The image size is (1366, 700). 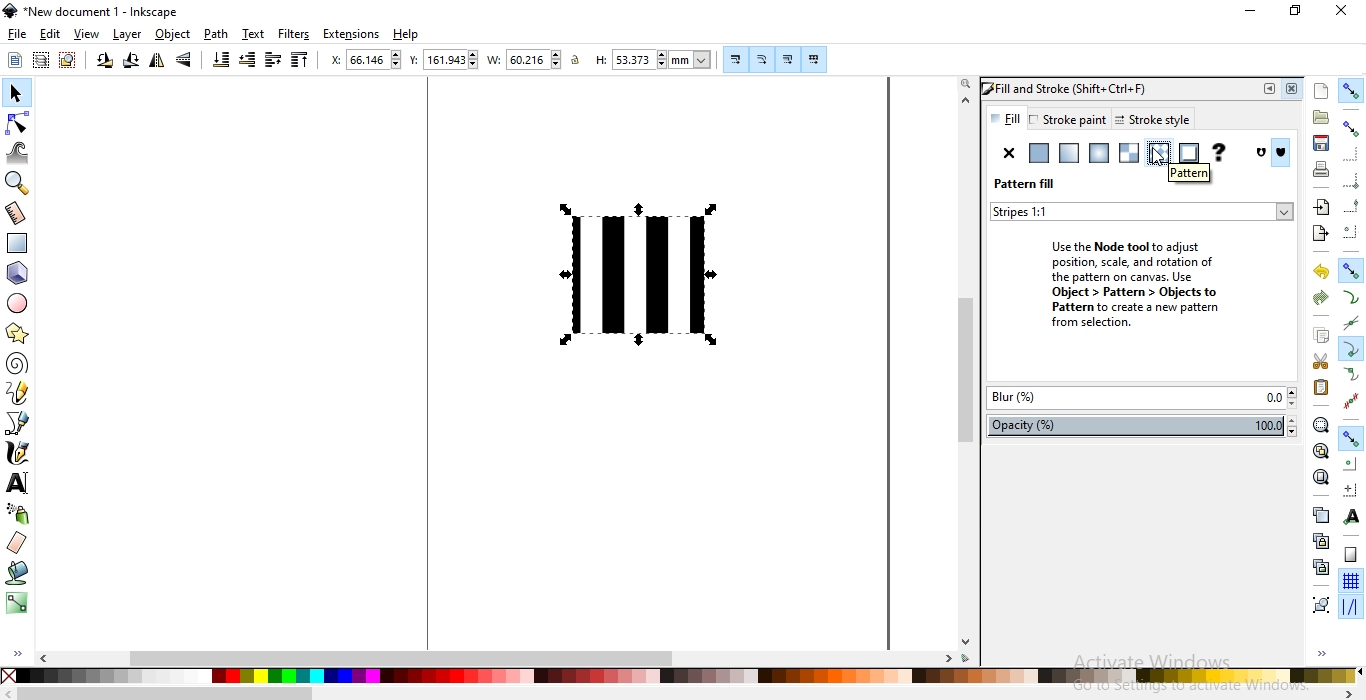 What do you see at coordinates (1037, 153) in the screenshot?
I see `flat color` at bounding box center [1037, 153].